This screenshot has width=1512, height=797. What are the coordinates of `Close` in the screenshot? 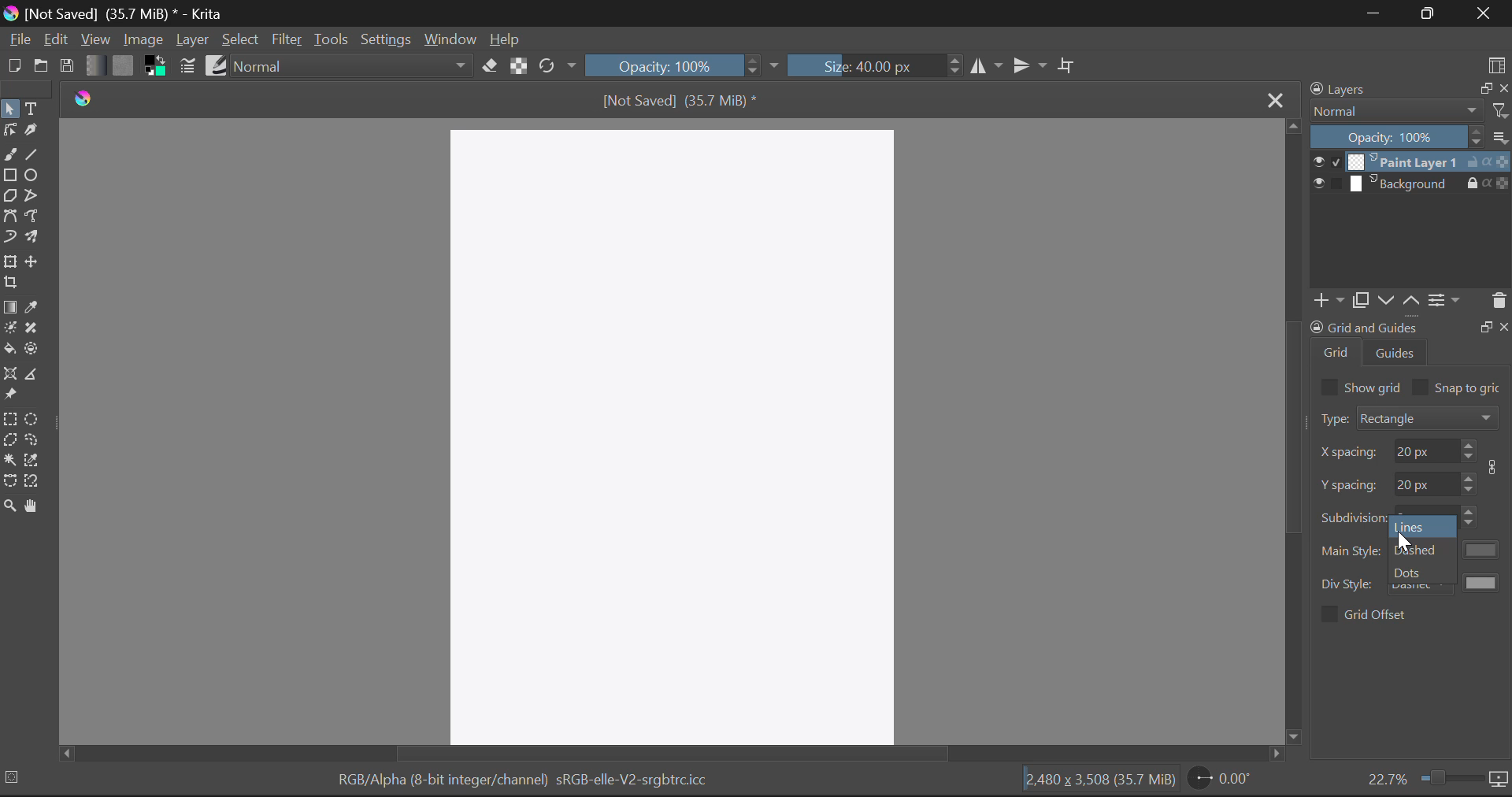 It's located at (1273, 98).